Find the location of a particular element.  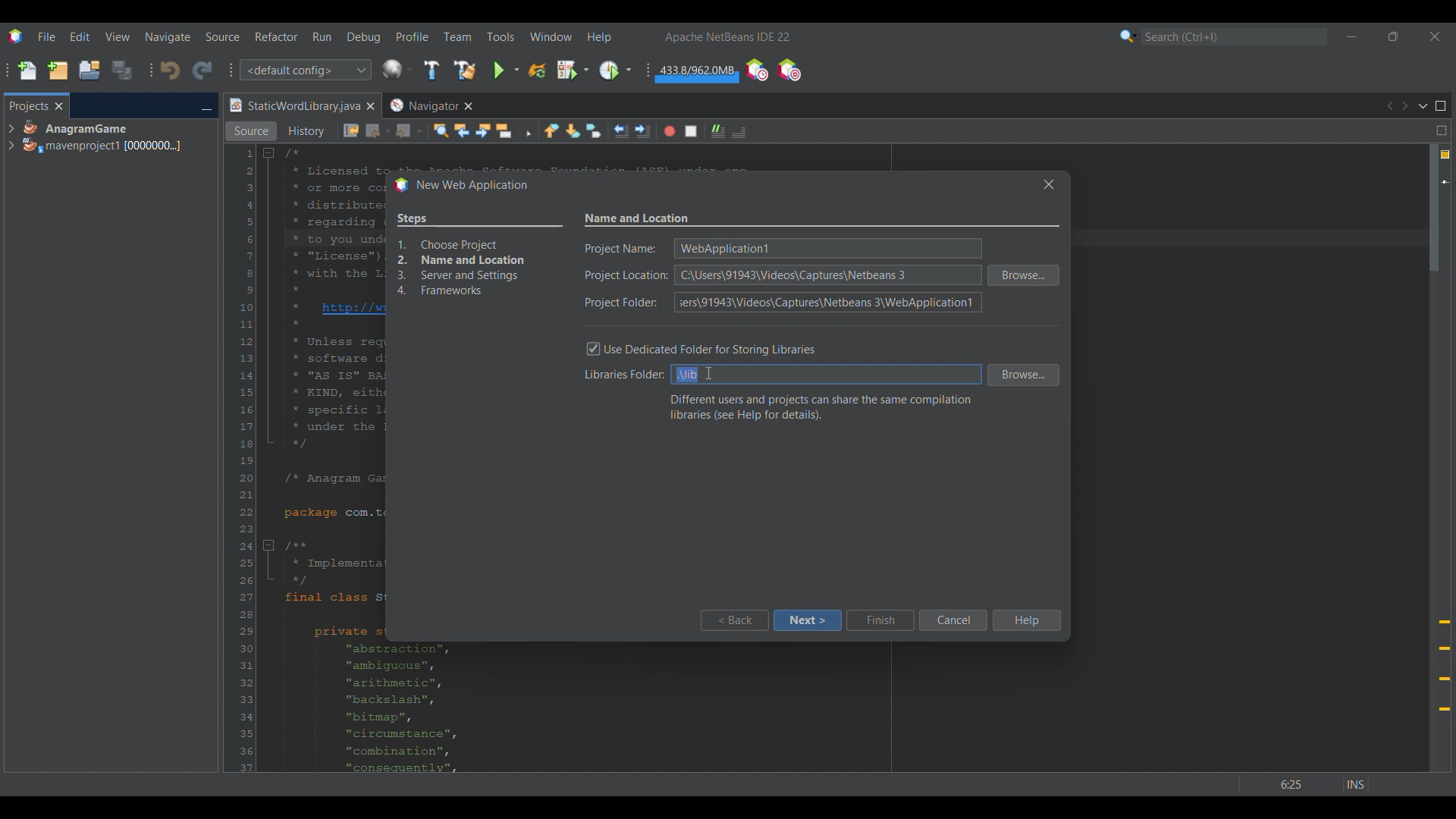

Team menu is located at coordinates (457, 36).